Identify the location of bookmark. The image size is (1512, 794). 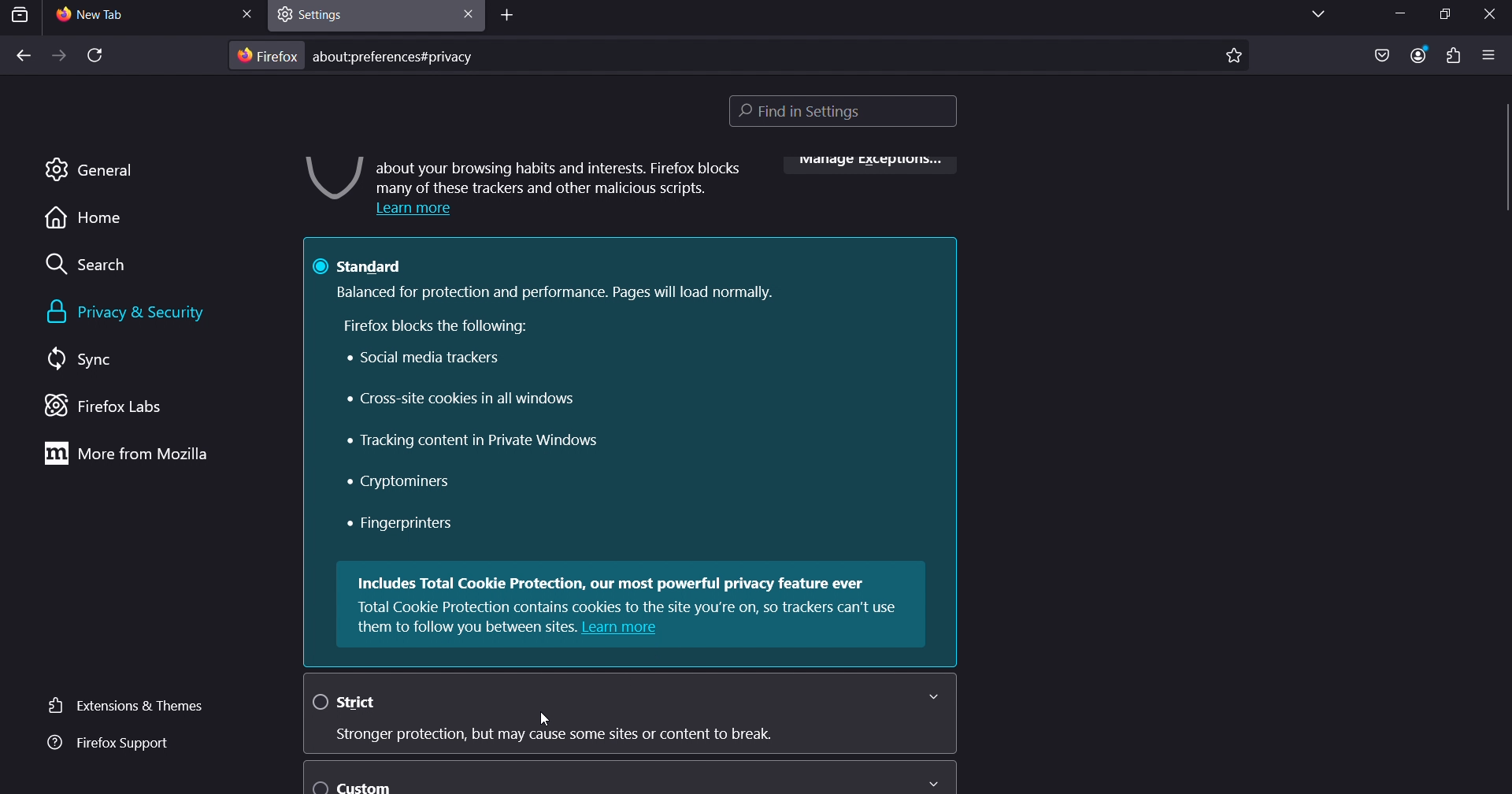
(1234, 54).